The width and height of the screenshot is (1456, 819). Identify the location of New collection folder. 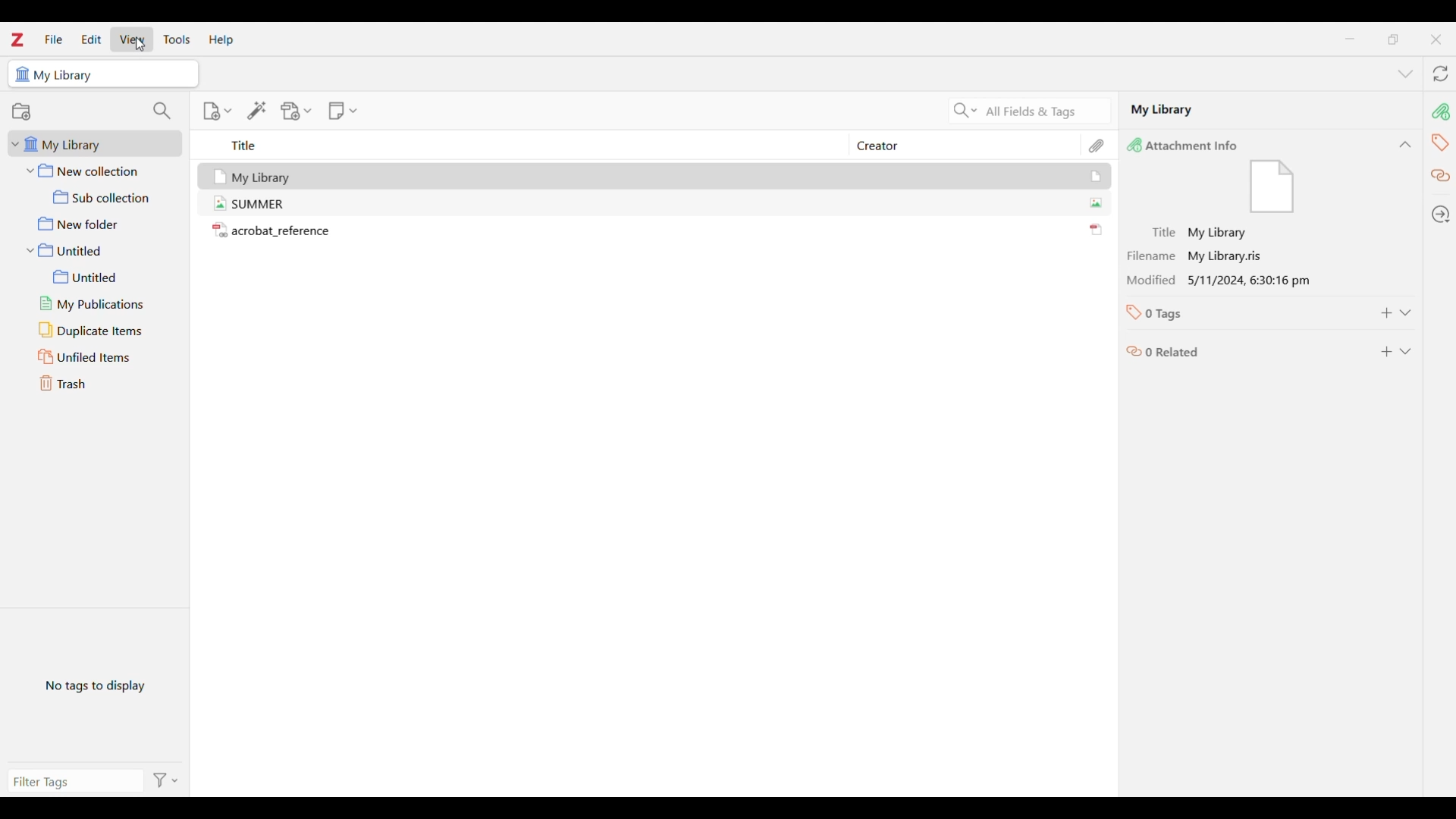
(97, 171).